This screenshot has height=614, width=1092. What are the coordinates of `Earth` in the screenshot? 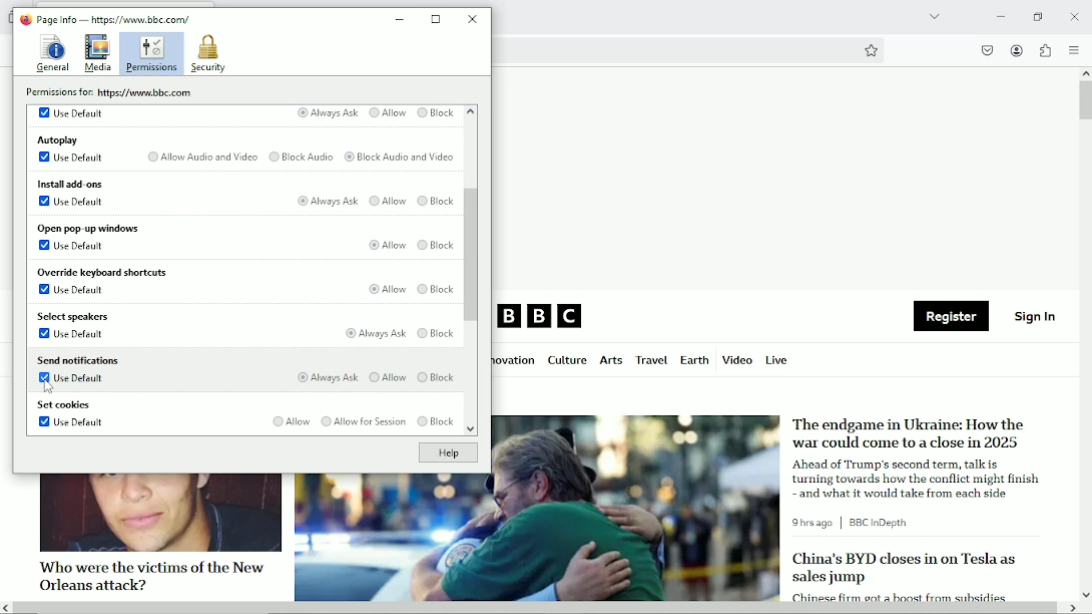 It's located at (693, 360).